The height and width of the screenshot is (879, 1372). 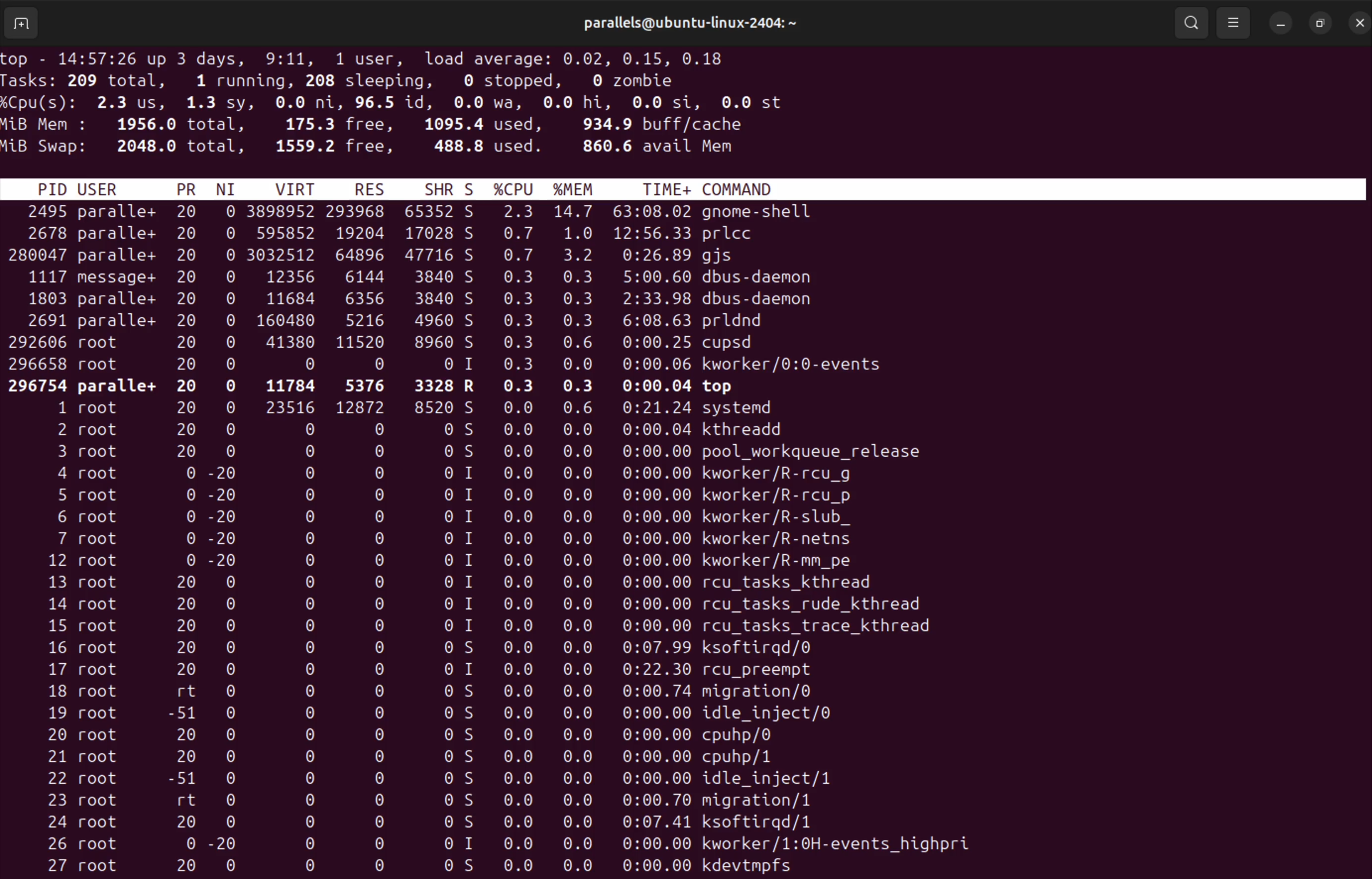 I want to click on % cpu, so click(x=515, y=188).